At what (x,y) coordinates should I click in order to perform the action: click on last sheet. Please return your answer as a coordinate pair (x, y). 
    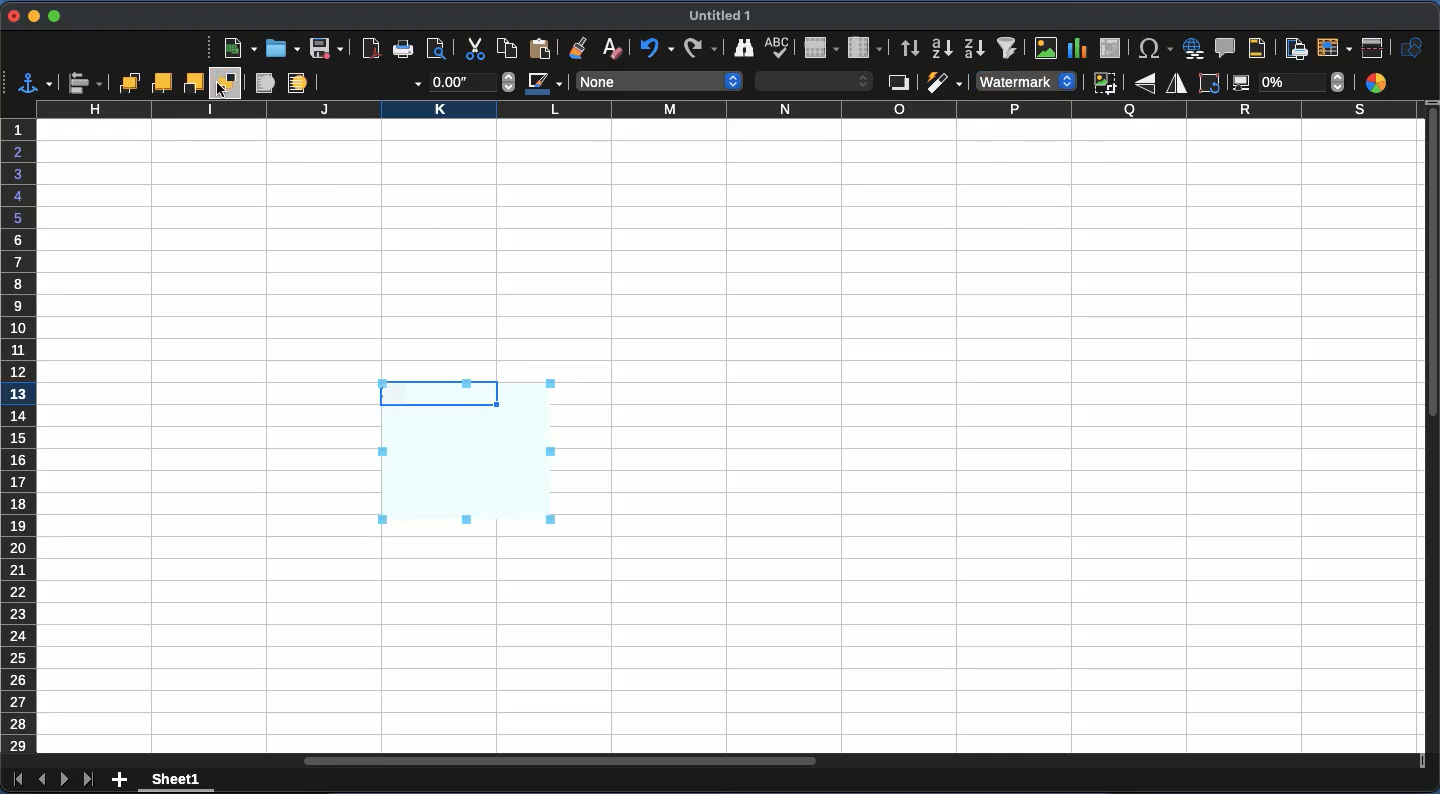
    Looking at the image, I should click on (90, 780).